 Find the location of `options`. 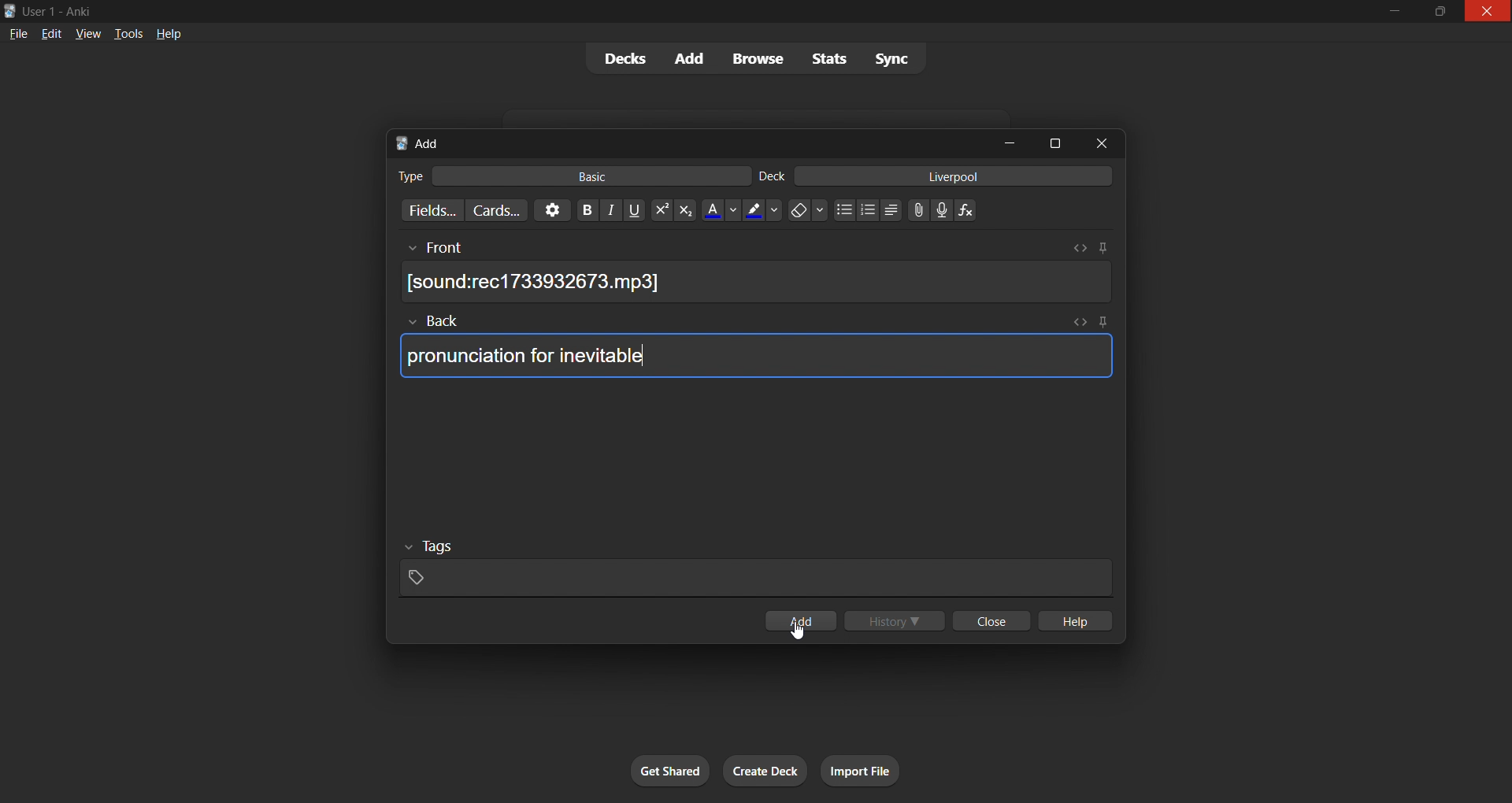

options is located at coordinates (548, 210).